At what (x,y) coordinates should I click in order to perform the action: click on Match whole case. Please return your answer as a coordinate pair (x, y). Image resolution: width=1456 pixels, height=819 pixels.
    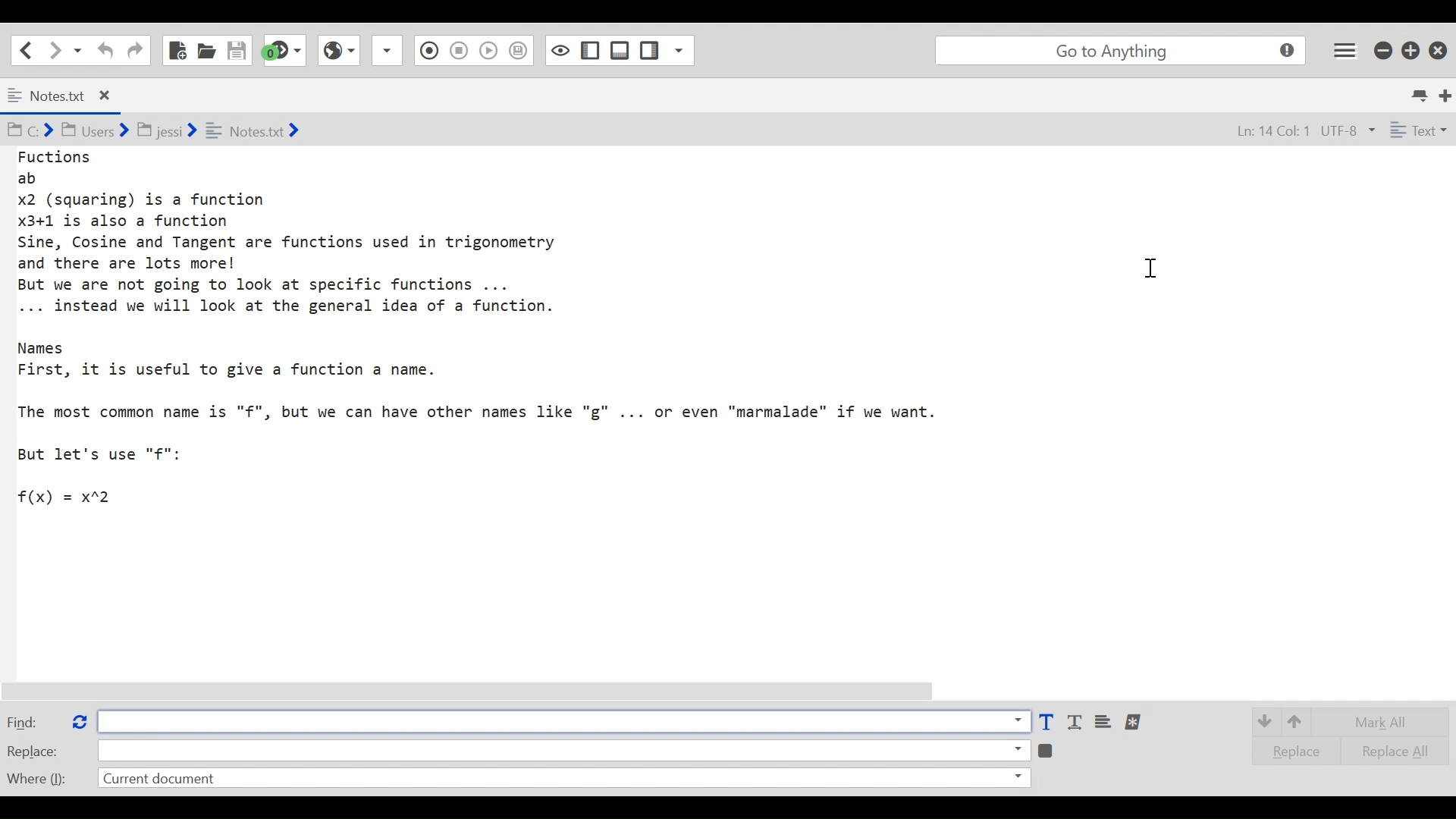
    Looking at the image, I should click on (1077, 723).